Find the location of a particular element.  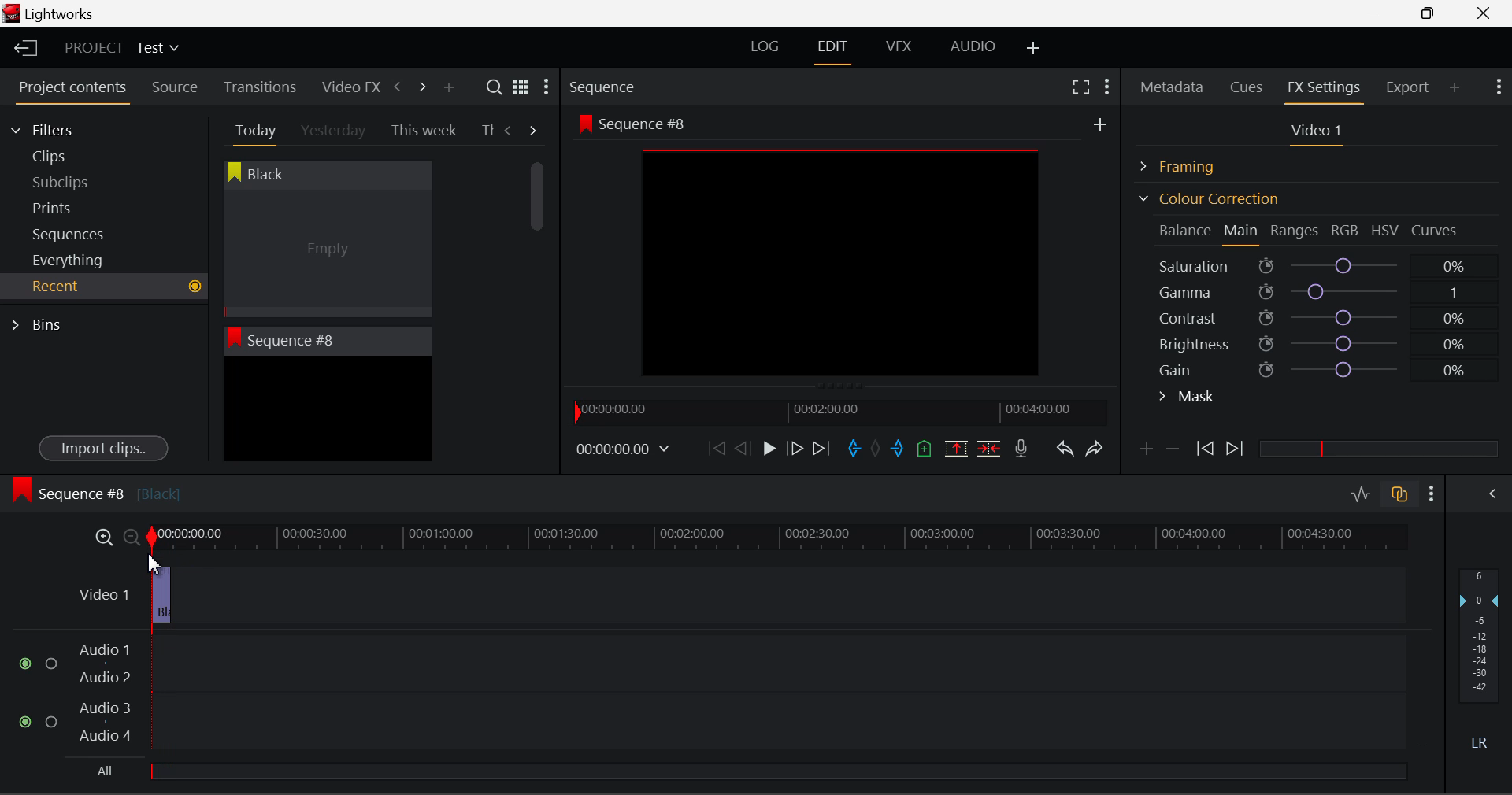

Project contents is located at coordinates (72, 91).